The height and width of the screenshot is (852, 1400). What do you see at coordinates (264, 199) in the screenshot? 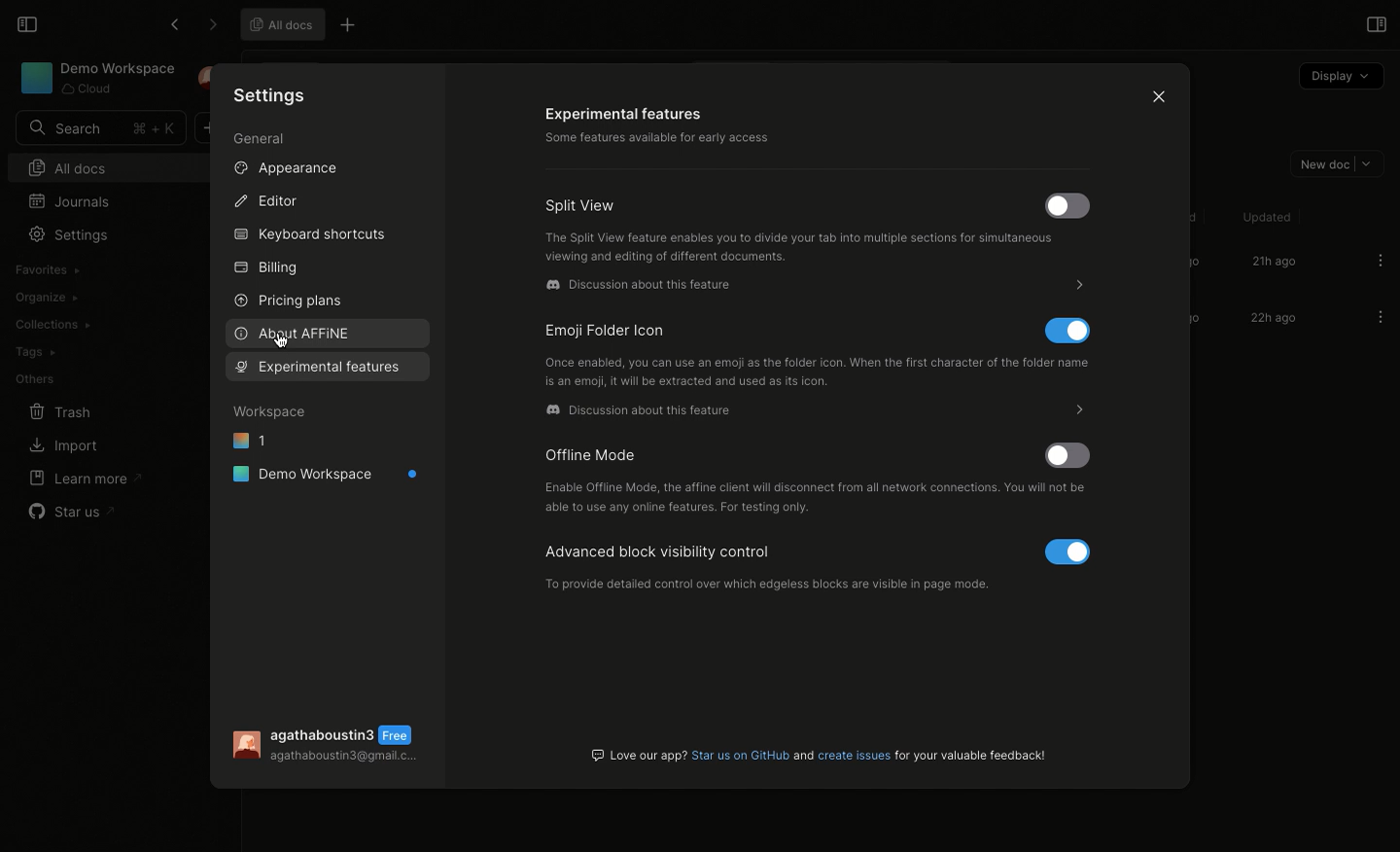
I see `Editor` at bounding box center [264, 199].